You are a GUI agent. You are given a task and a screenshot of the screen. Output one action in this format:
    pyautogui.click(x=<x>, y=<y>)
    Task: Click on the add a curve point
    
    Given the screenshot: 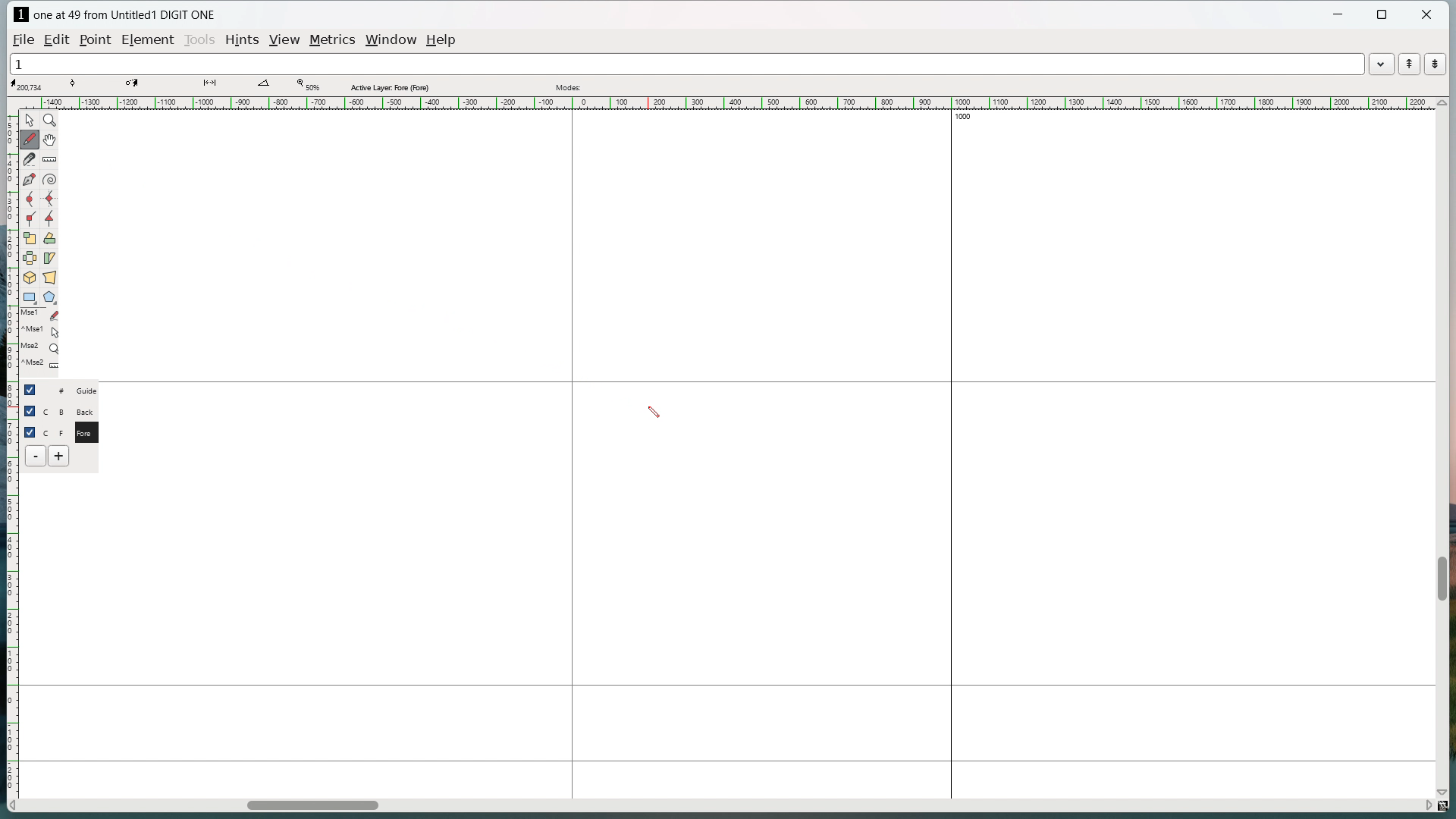 What is the action you would take?
    pyautogui.click(x=30, y=199)
    